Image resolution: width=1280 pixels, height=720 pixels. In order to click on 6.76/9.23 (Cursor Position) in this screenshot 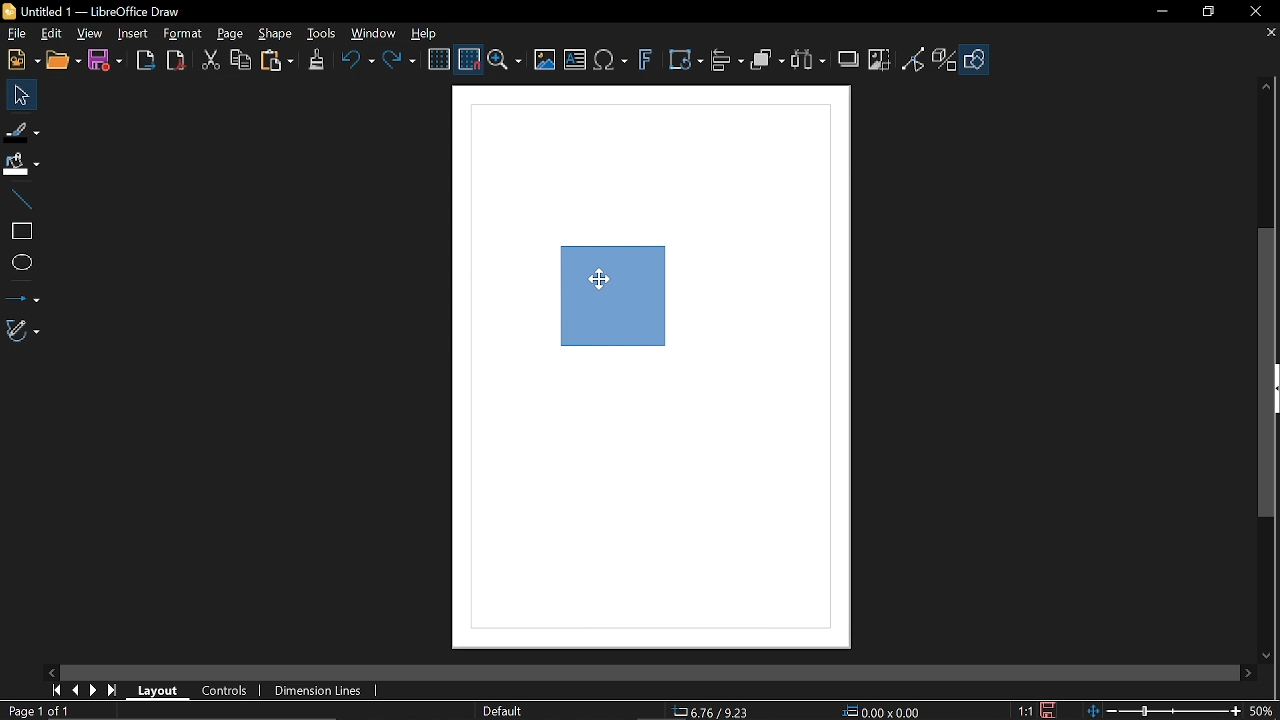, I will do `click(710, 710)`.